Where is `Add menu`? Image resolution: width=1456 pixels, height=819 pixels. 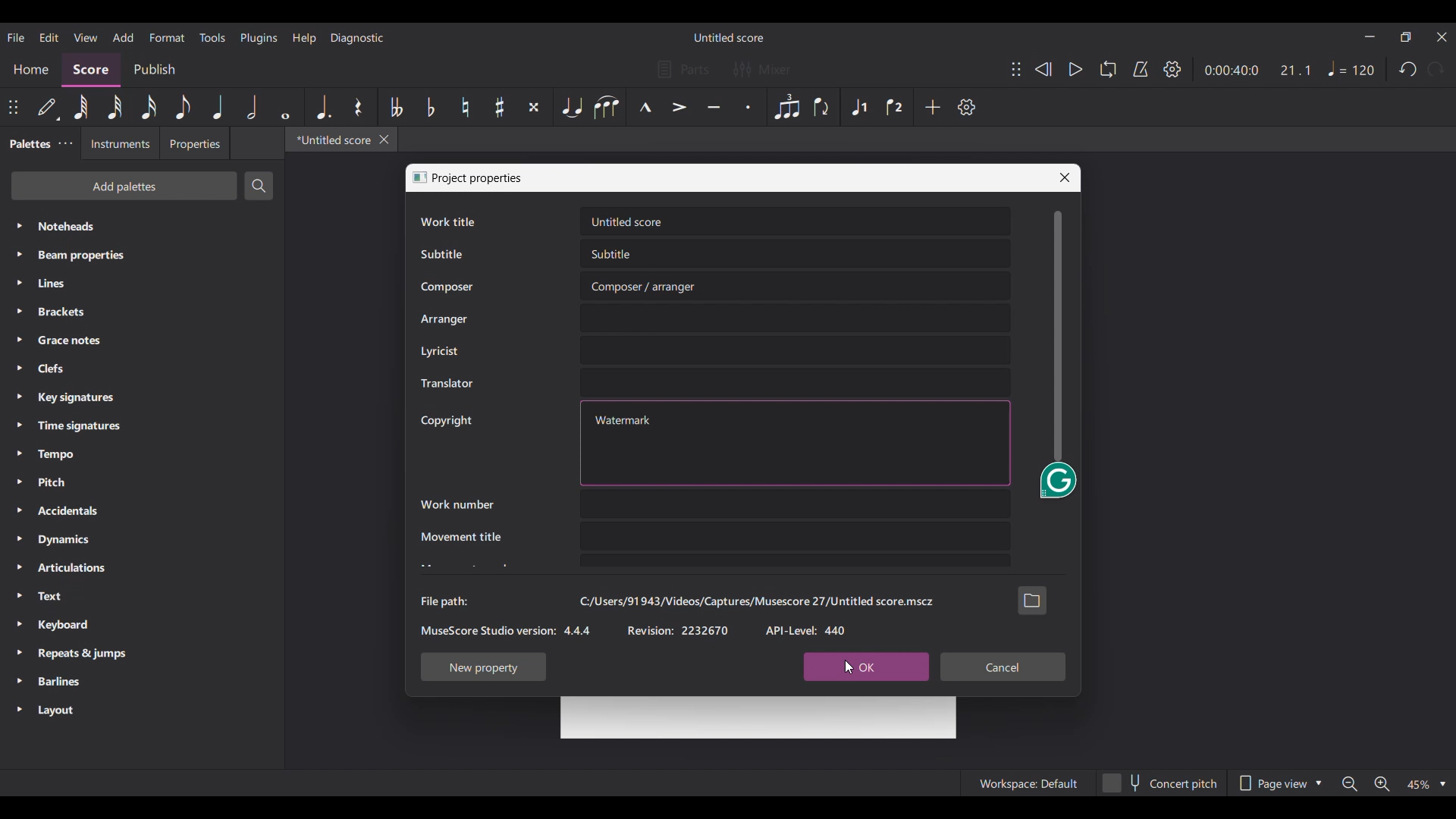 Add menu is located at coordinates (124, 37).